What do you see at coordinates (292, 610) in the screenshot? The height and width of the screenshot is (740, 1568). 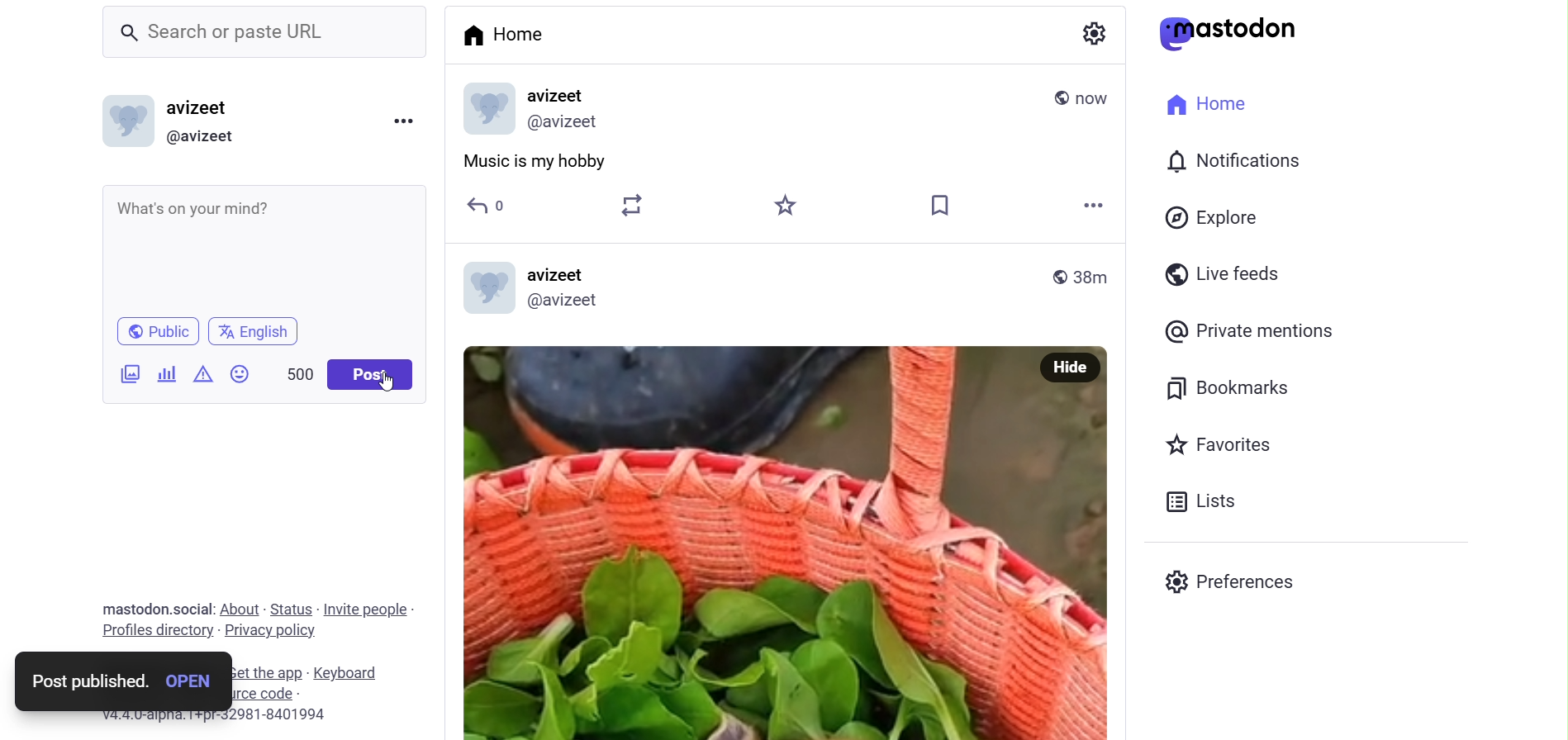 I see `Status` at bounding box center [292, 610].